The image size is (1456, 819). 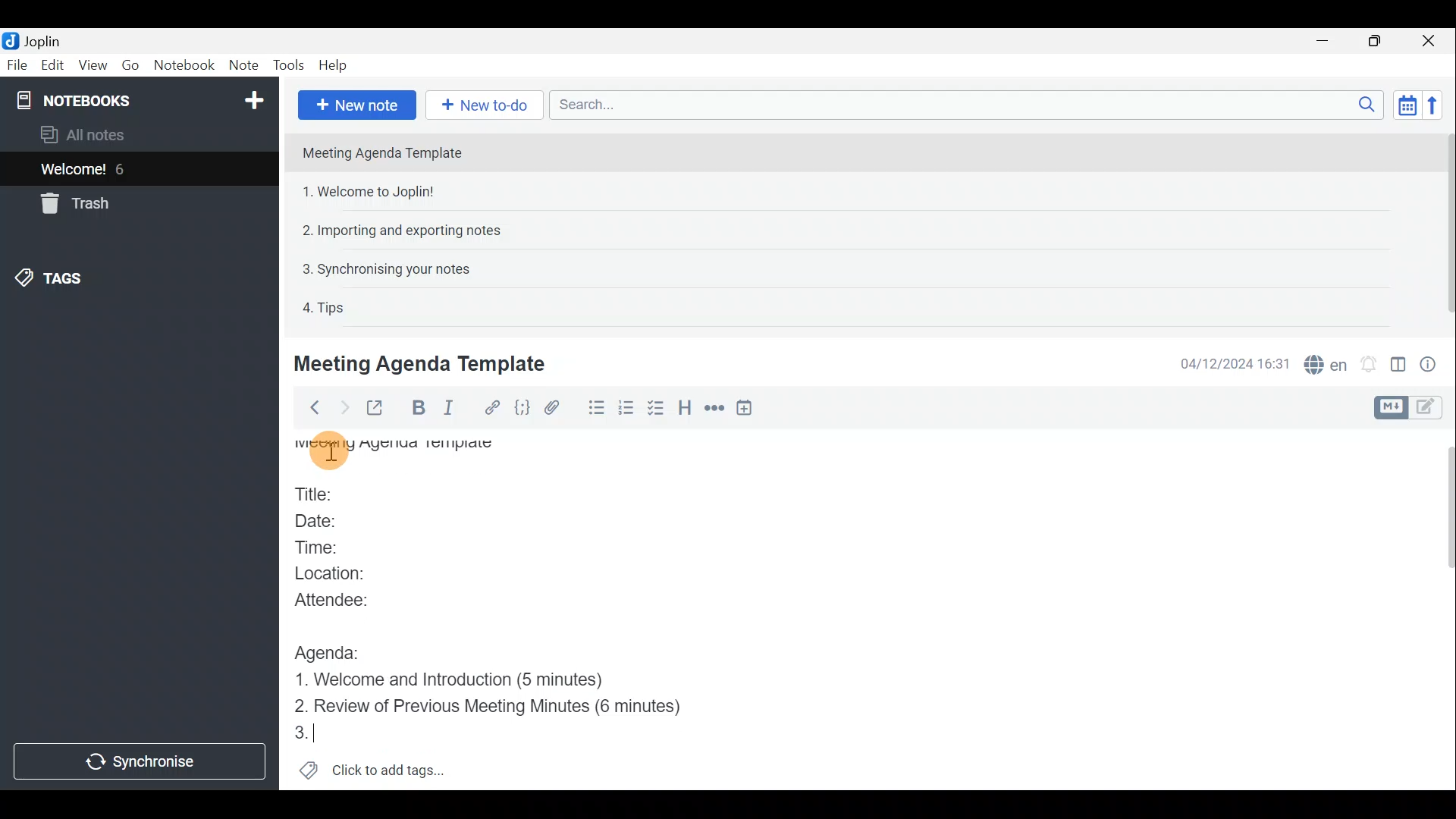 What do you see at coordinates (1399, 367) in the screenshot?
I see `Toggle editor layout` at bounding box center [1399, 367].